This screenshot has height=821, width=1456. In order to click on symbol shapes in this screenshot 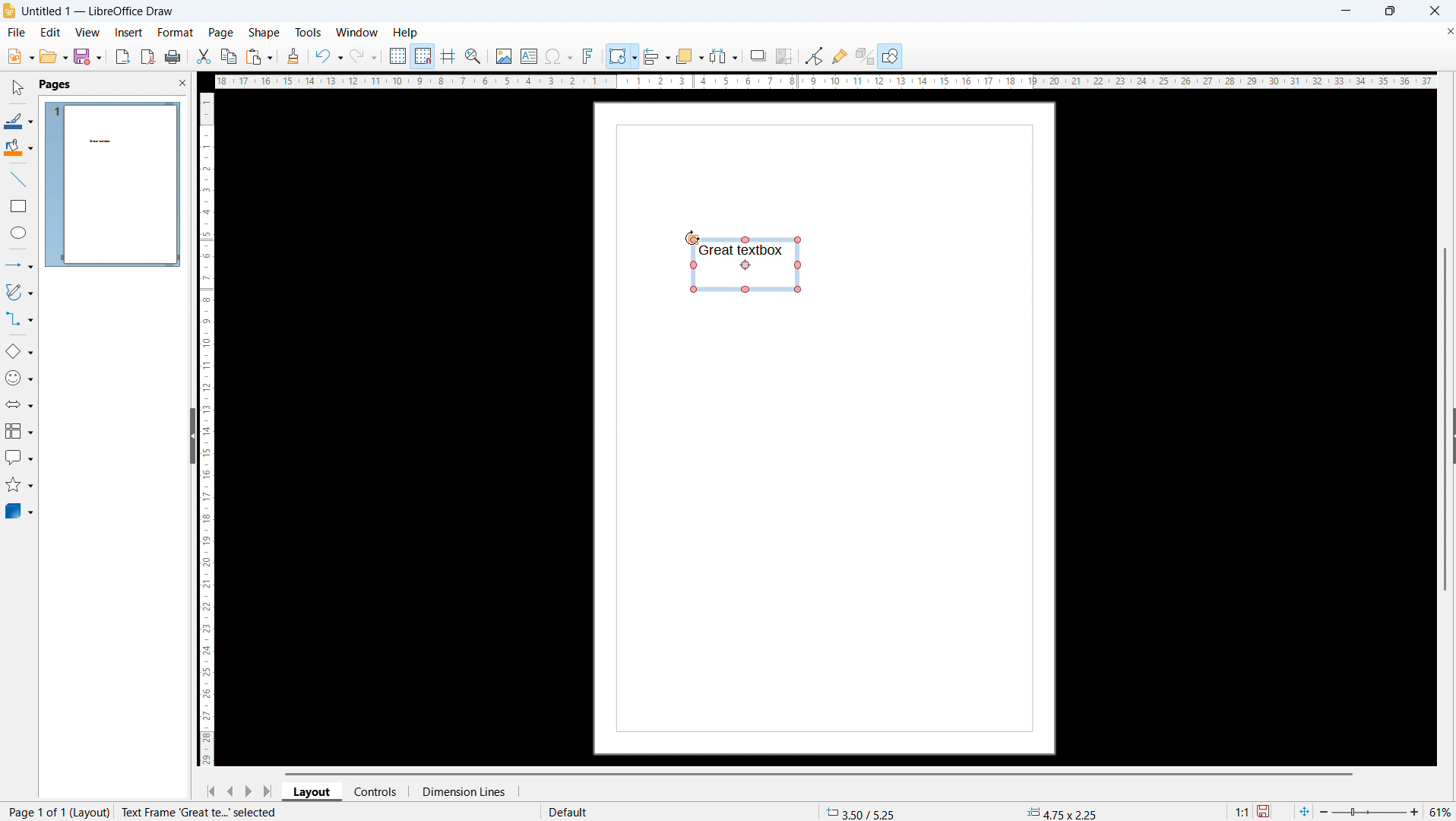, I will do `click(19, 378)`.